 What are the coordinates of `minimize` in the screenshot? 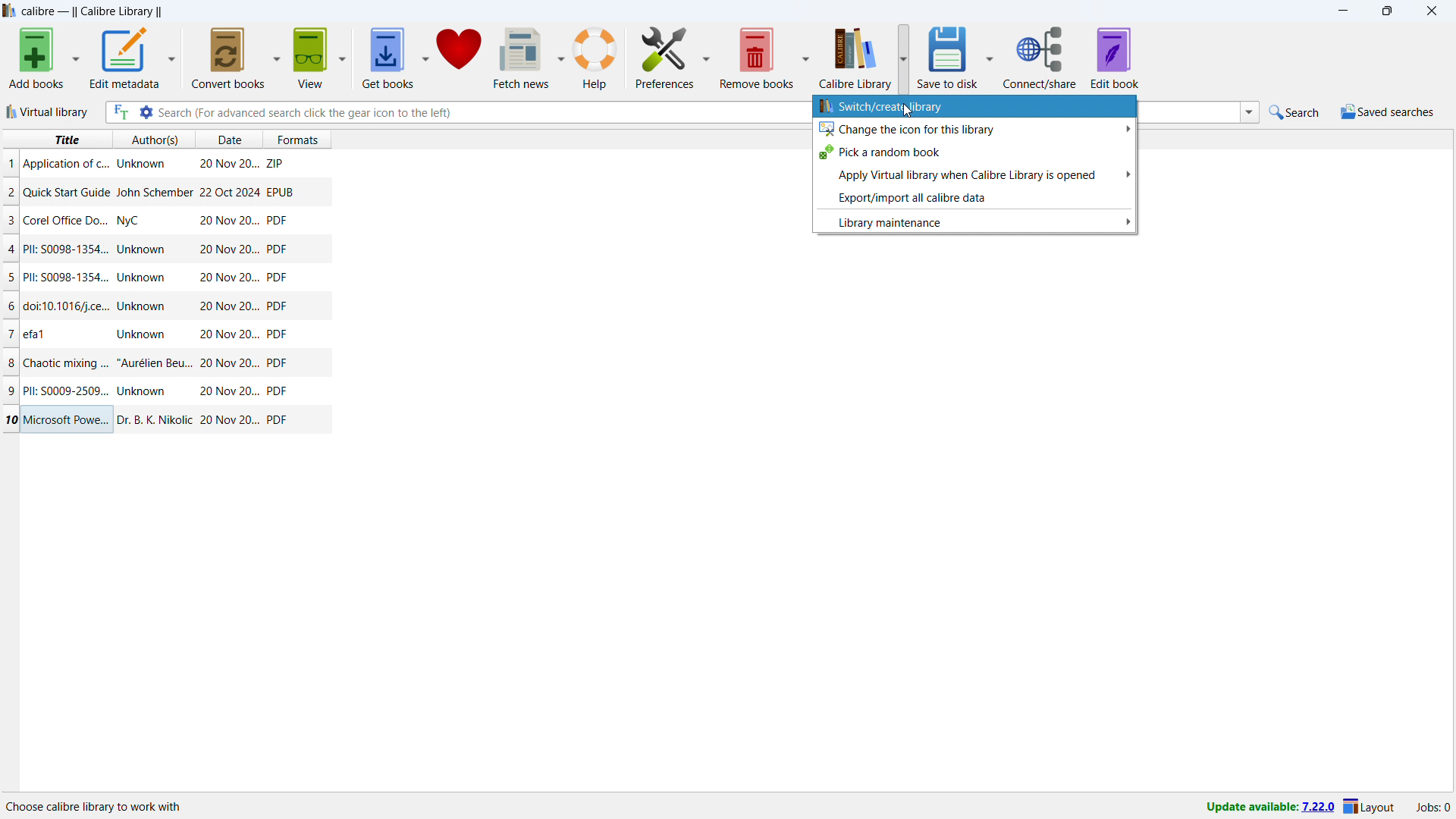 It's located at (1341, 11).